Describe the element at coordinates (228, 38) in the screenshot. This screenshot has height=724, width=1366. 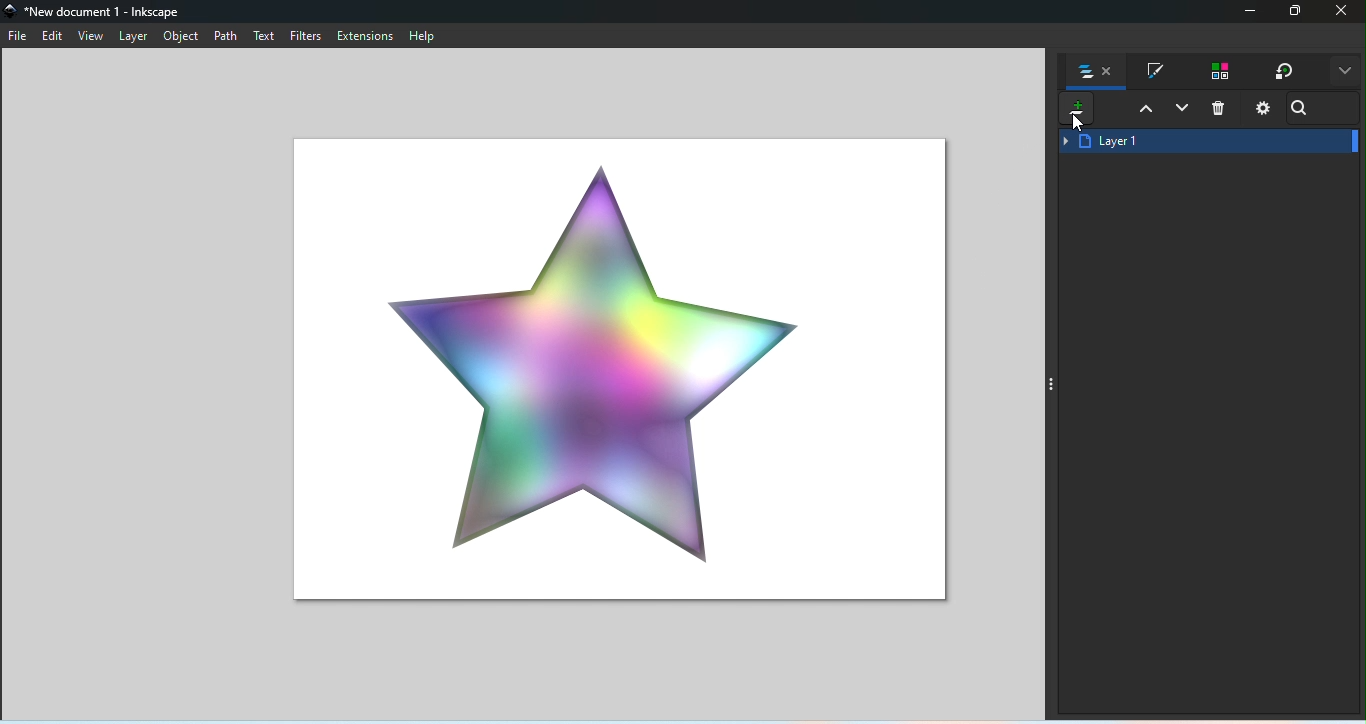
I see `Path` at that location.